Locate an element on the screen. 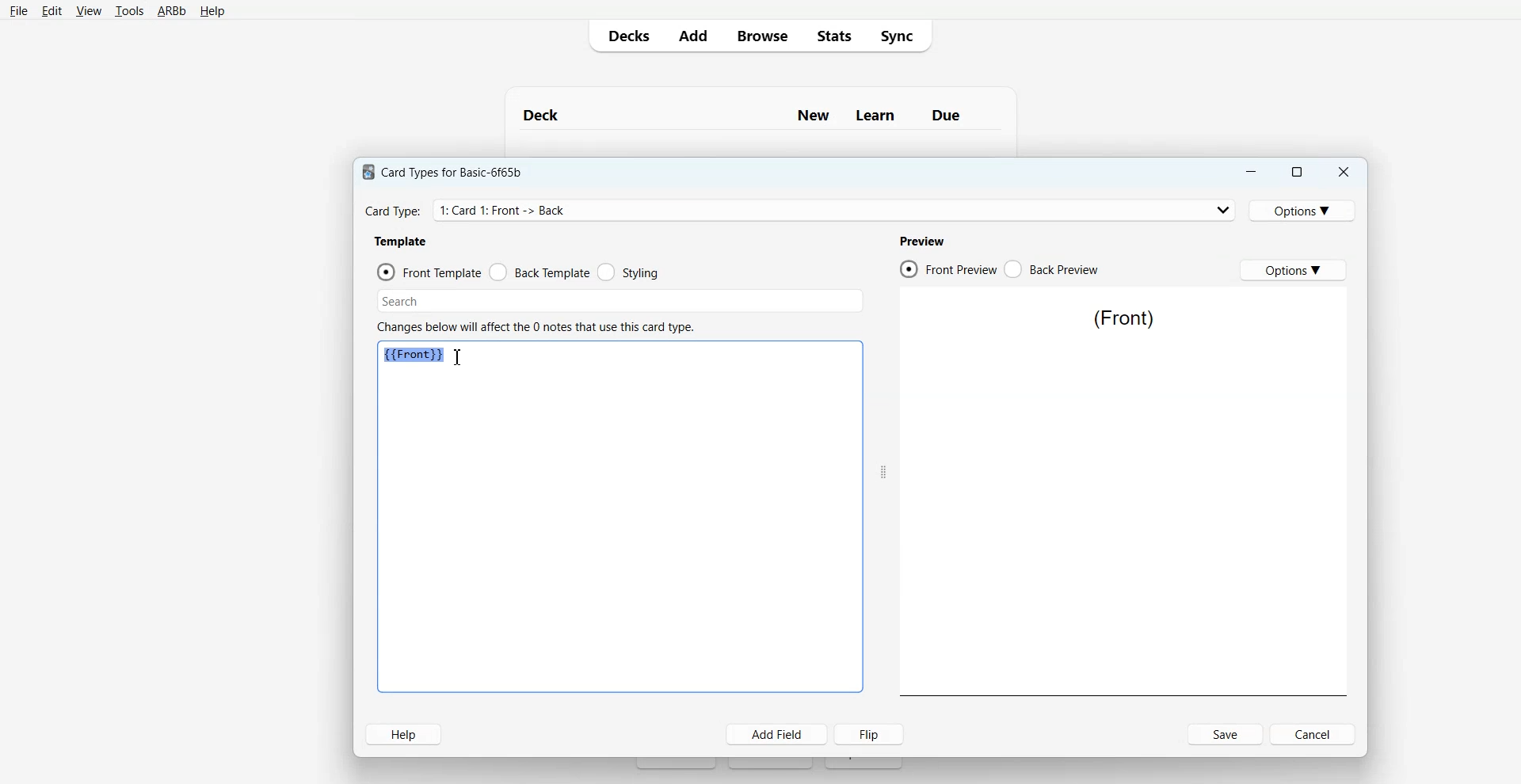  Close is located at coordinates (1344, 171).